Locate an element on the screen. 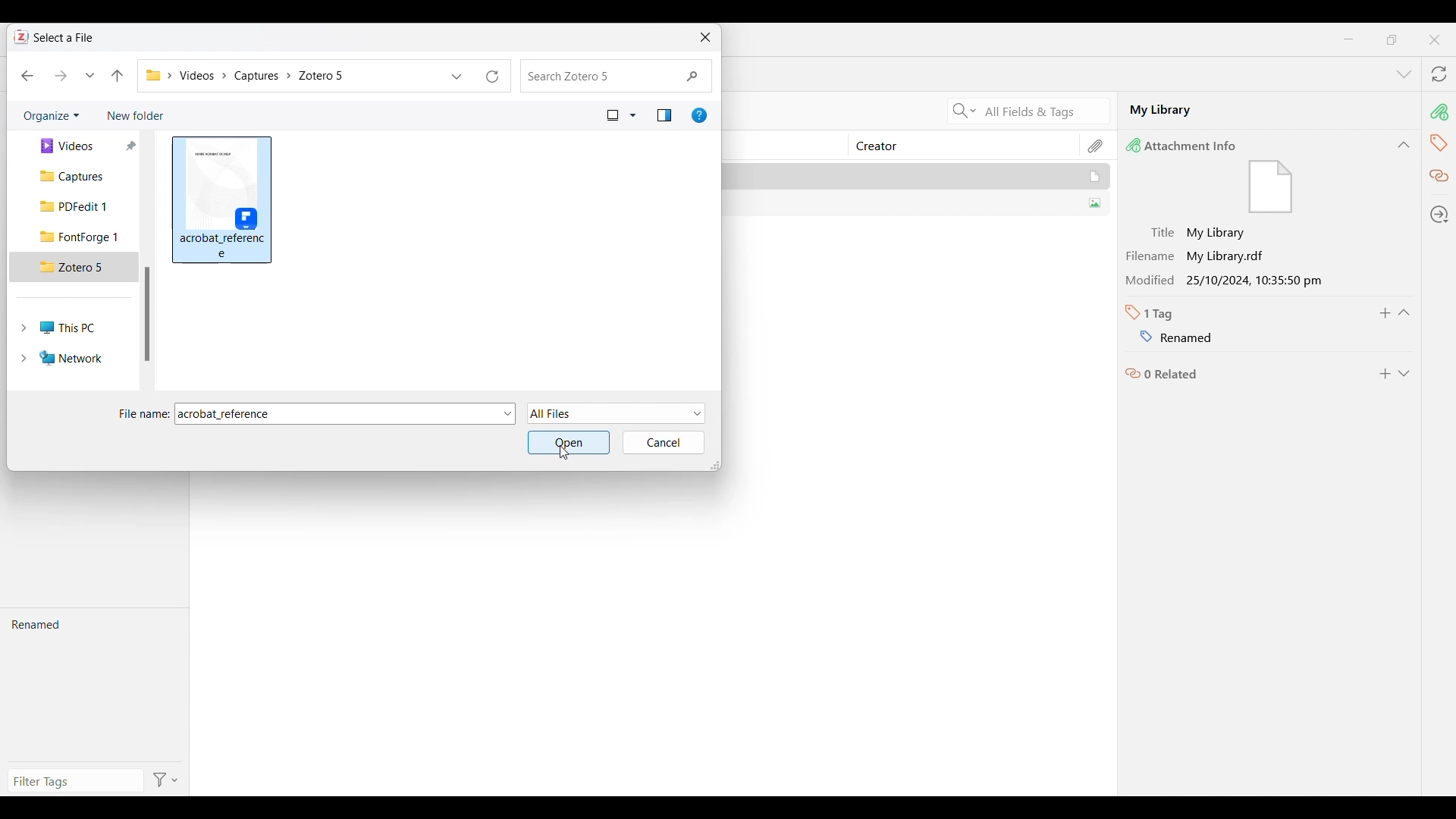 This screenshot has height=819, width=1456. Show the preview pane is located at coordinates (664, 115).